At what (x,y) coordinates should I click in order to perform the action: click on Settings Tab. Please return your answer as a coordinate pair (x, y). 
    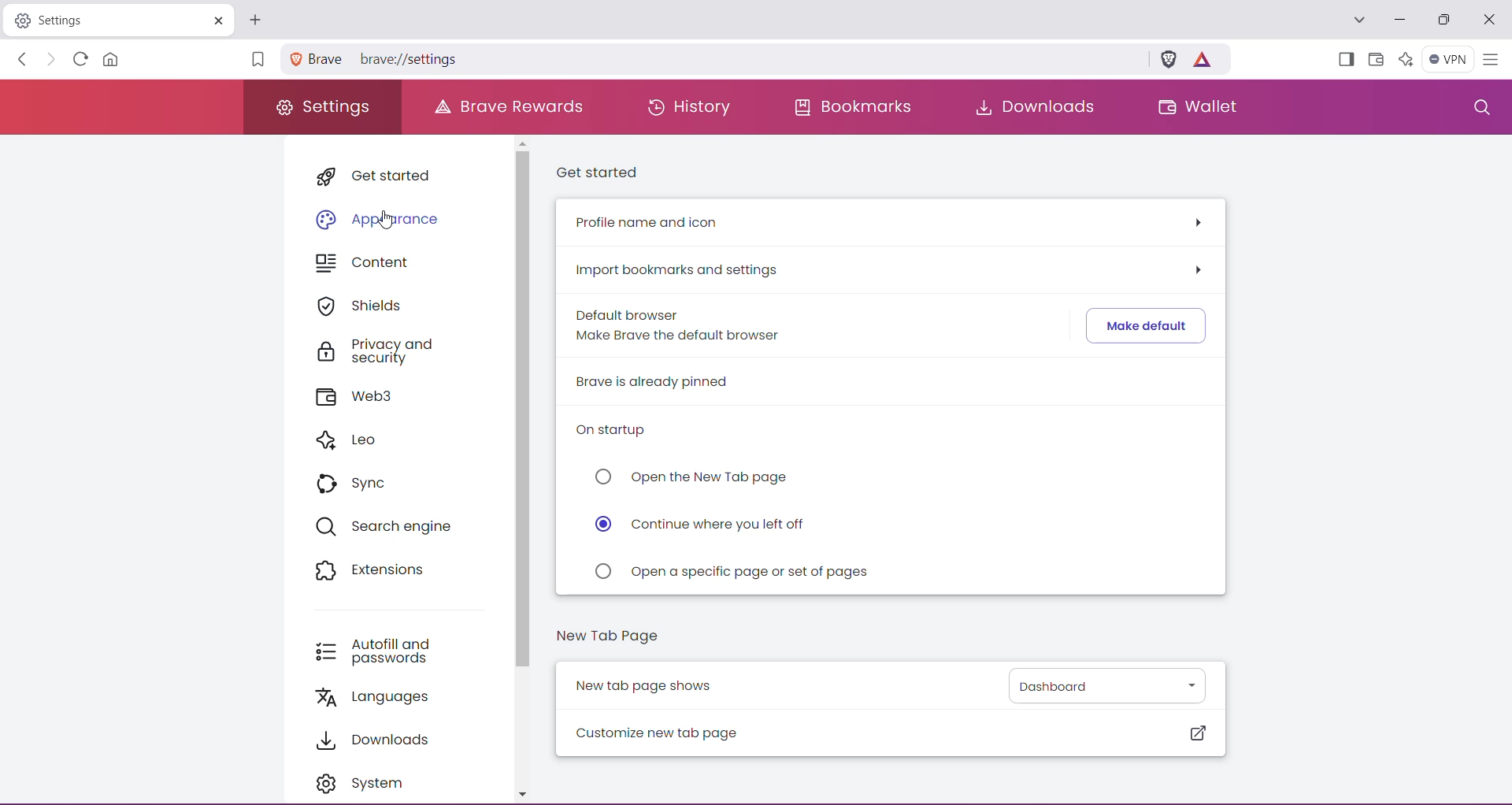
    Looking at the image, I should click on (94, 20).